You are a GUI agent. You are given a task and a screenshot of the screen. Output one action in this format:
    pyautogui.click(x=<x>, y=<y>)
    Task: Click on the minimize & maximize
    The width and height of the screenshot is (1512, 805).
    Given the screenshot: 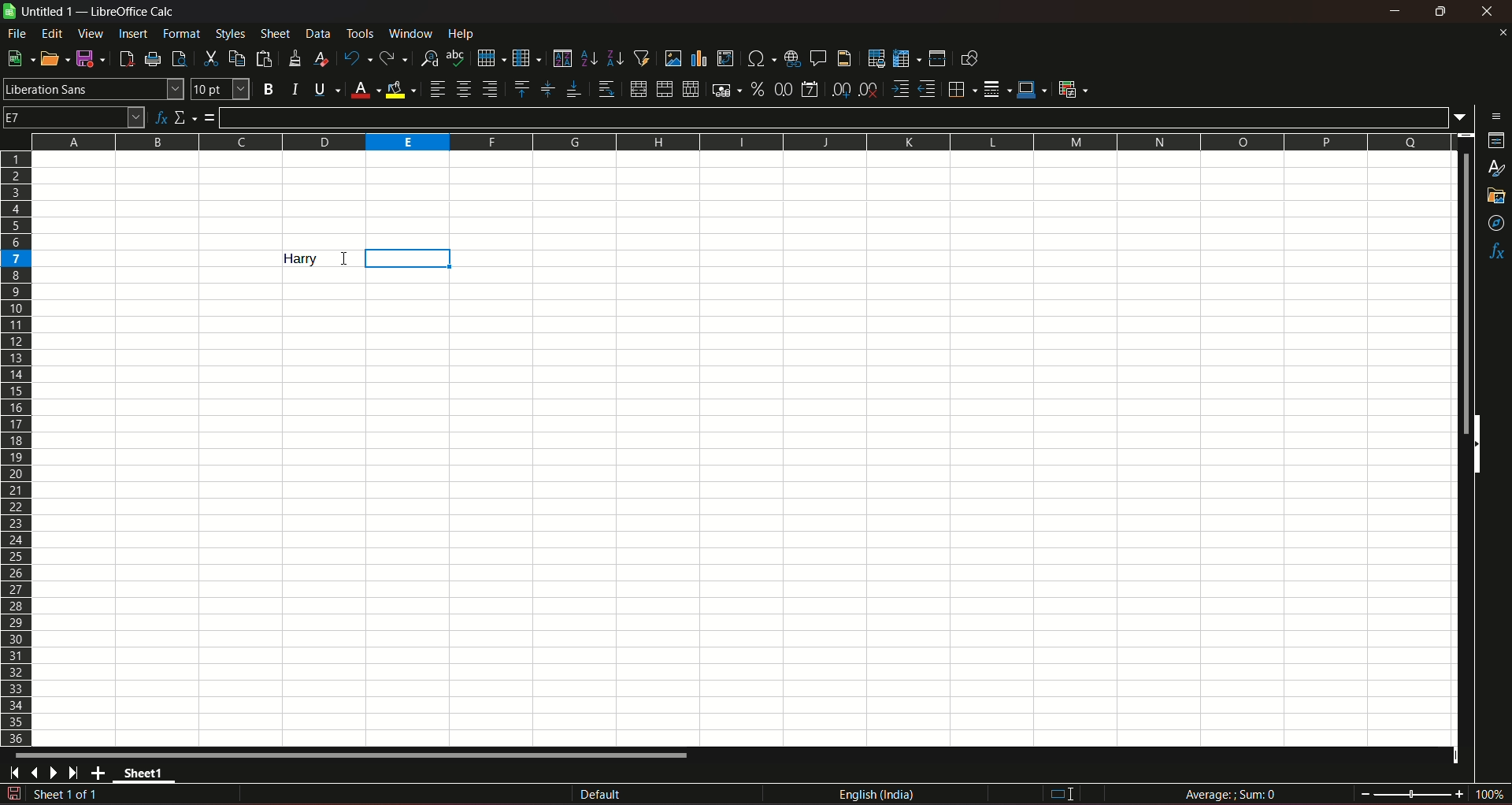 What is the action you would take?
    pyautogui.click(x=1440, y=12)
    